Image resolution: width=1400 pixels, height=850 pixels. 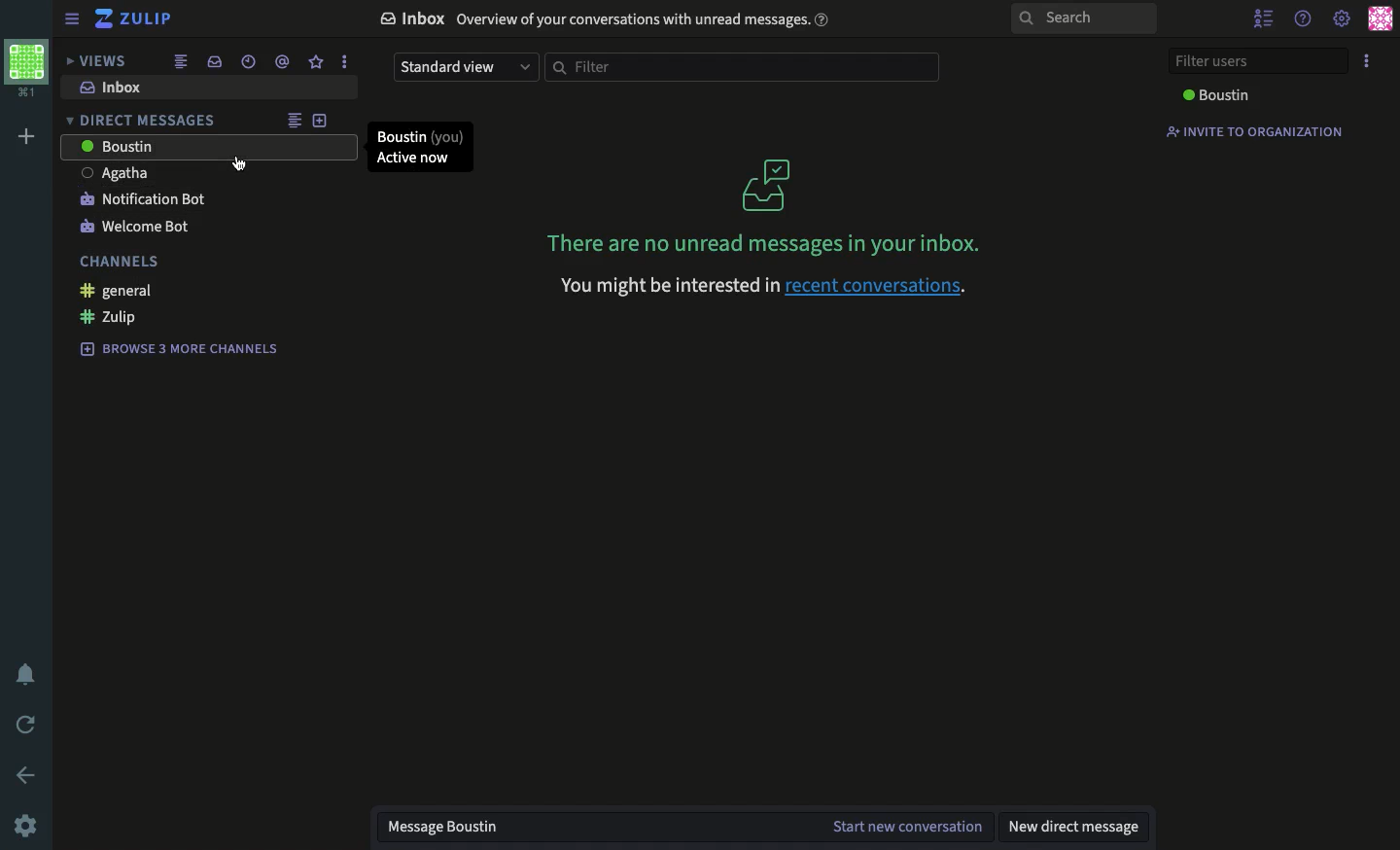 I want to click on options, so click(x=1367, y=61).